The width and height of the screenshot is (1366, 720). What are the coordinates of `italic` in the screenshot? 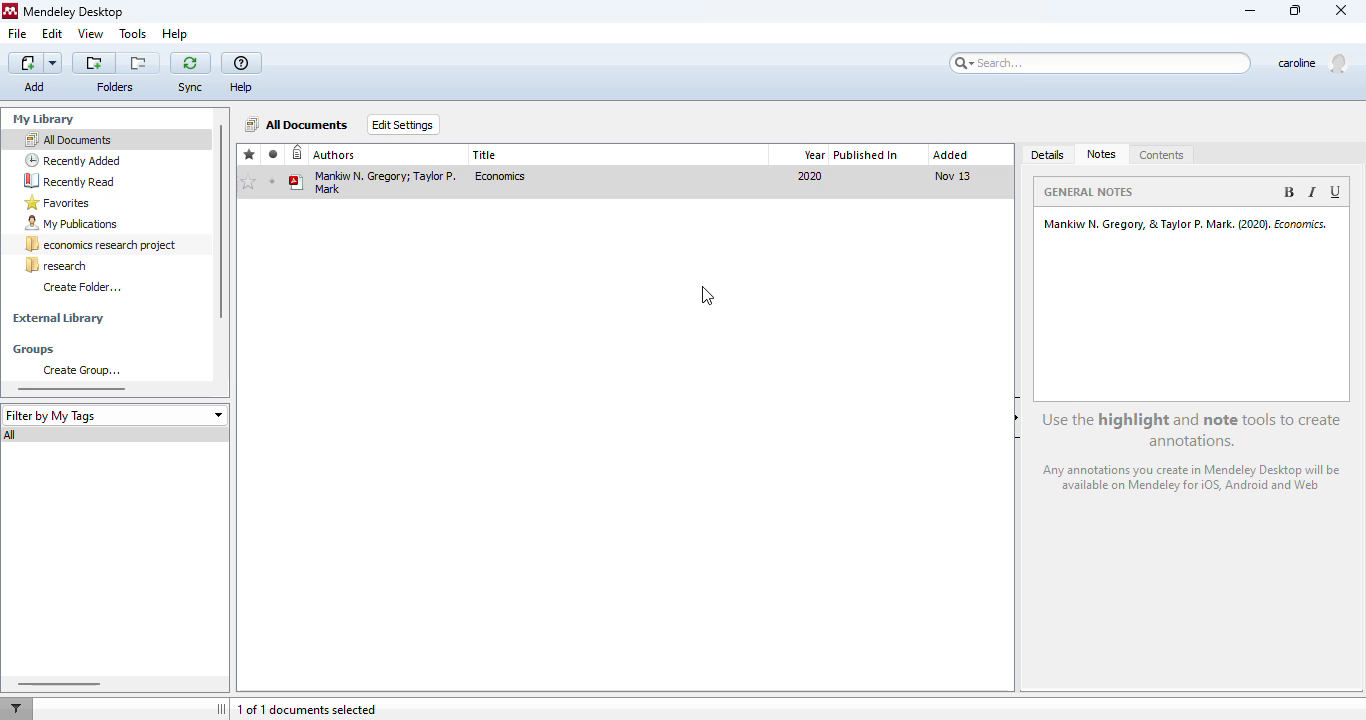 It's located at (1311, 192).